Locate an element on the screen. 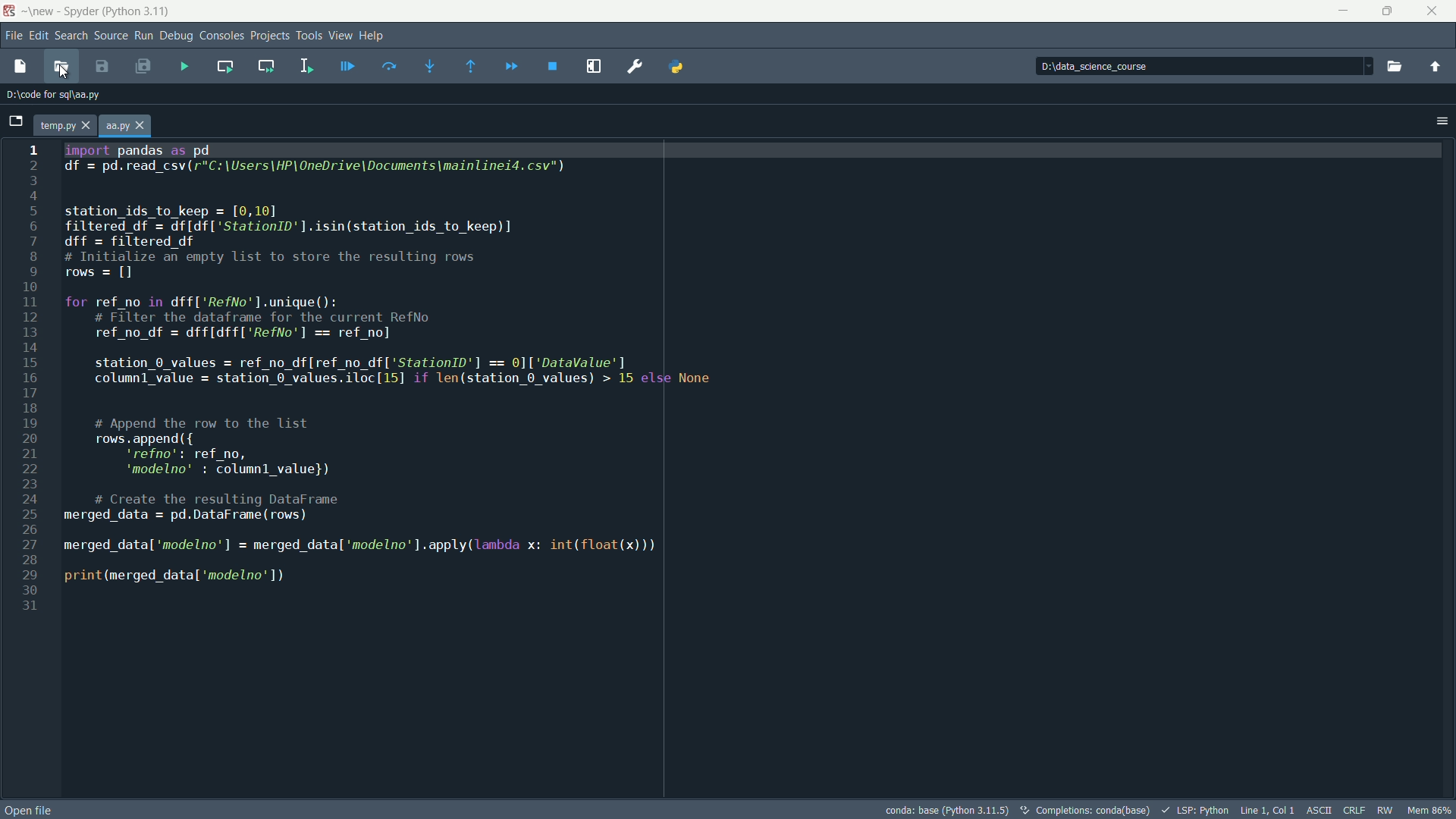 The image size is (1456, 819). interpreter is located at coordinates (944, 808).